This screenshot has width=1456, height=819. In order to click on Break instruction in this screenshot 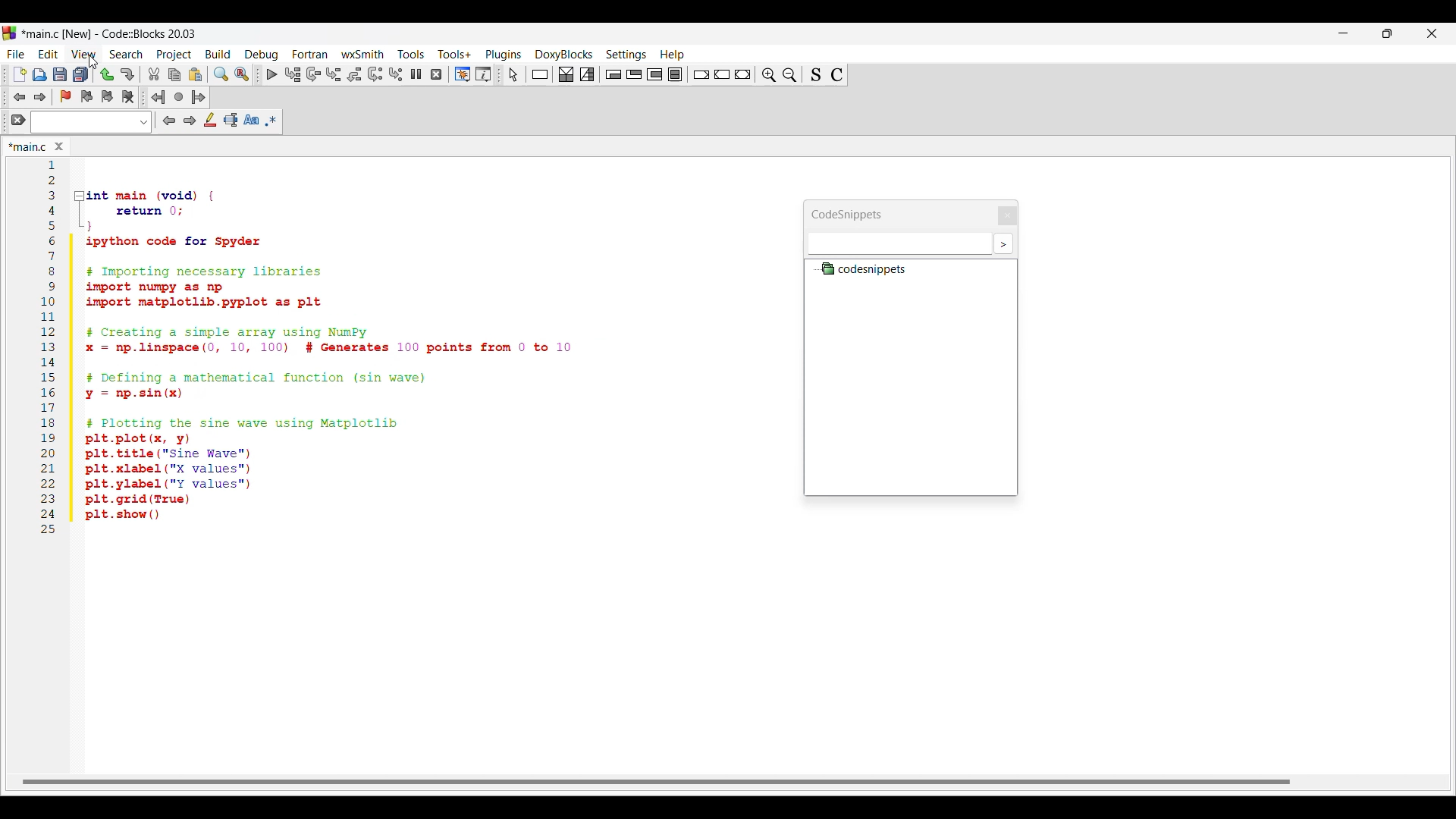, I will do `click(701, 75)`.